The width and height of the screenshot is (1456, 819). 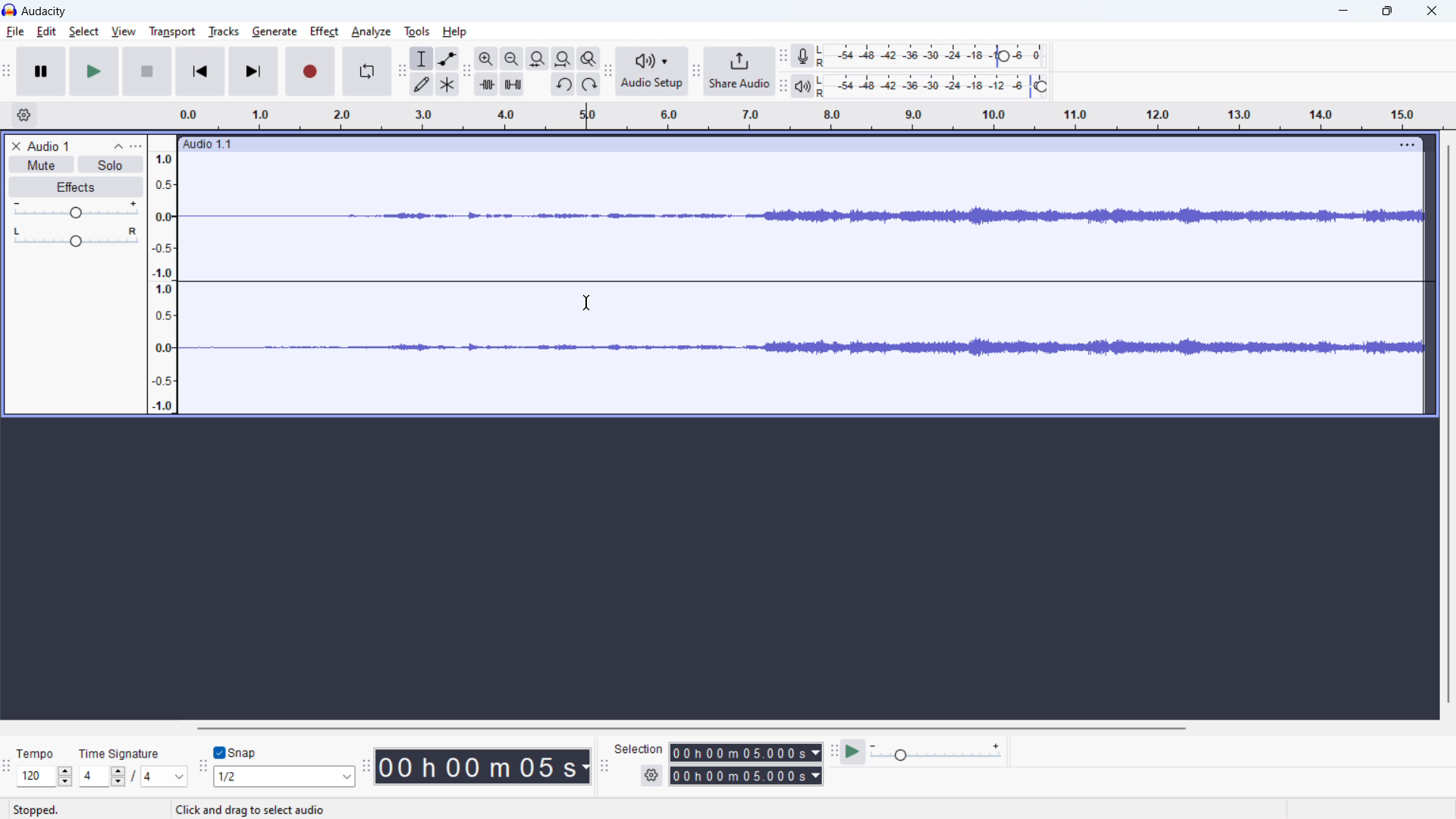 I want to click on select snapping, so click(x=285, y=776).